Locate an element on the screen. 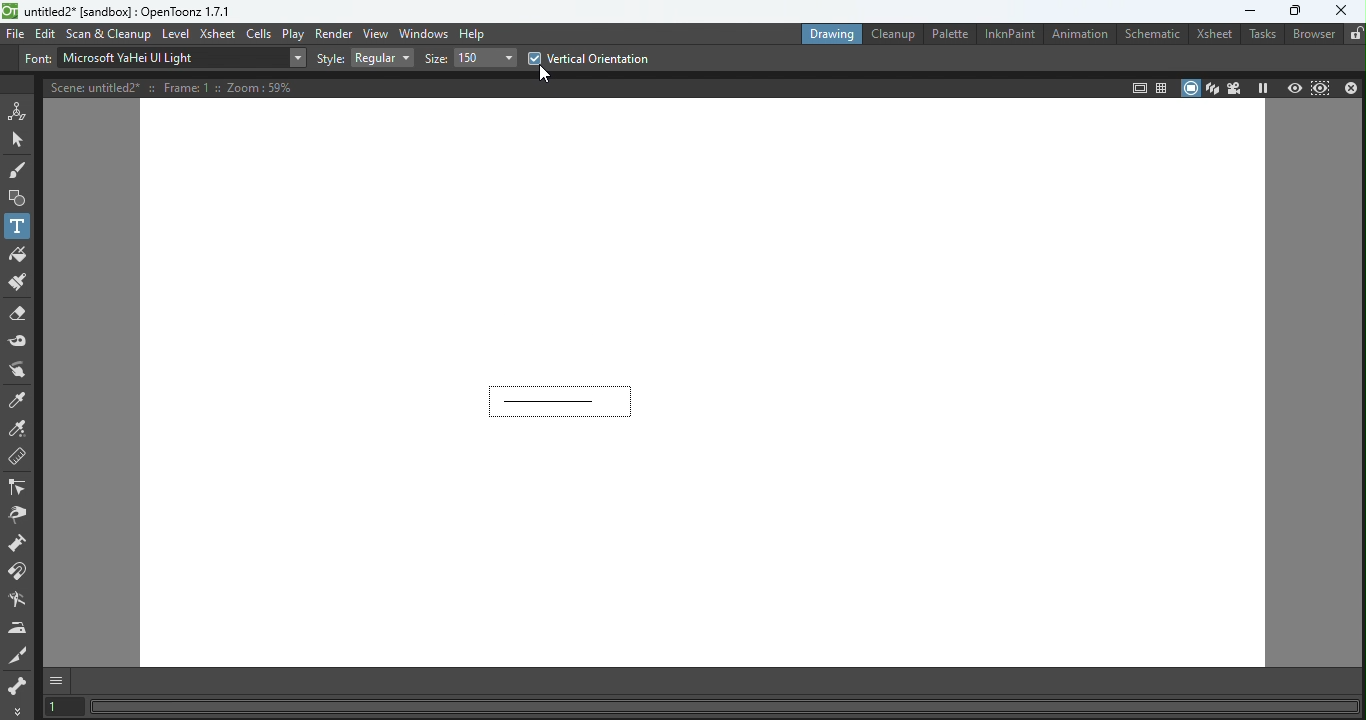 This screenshot has width=1366, height=720. Render is located at coordinates (333, 32).